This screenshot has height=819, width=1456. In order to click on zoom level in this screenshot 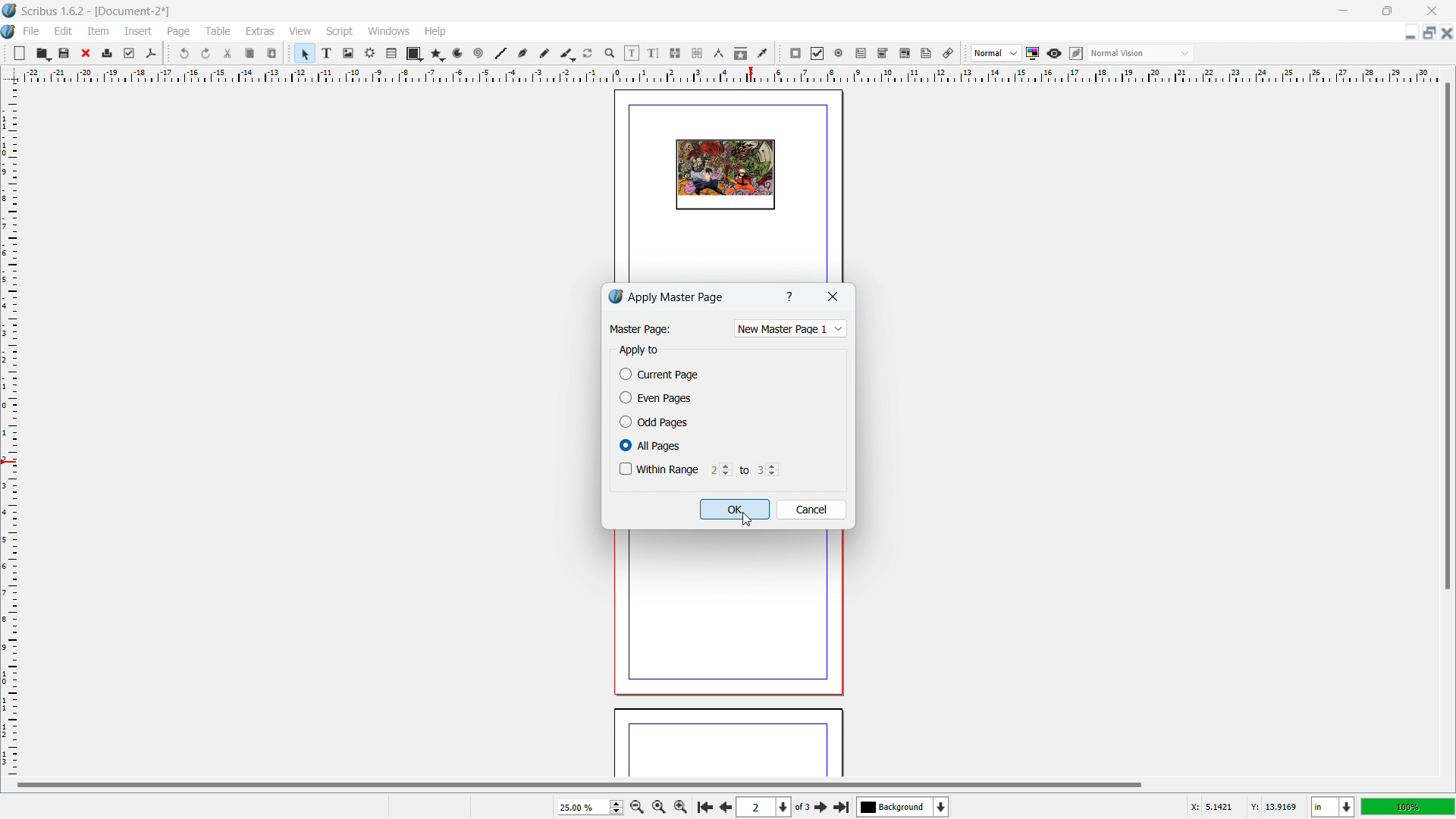, I will do `click(1408, 806)`.